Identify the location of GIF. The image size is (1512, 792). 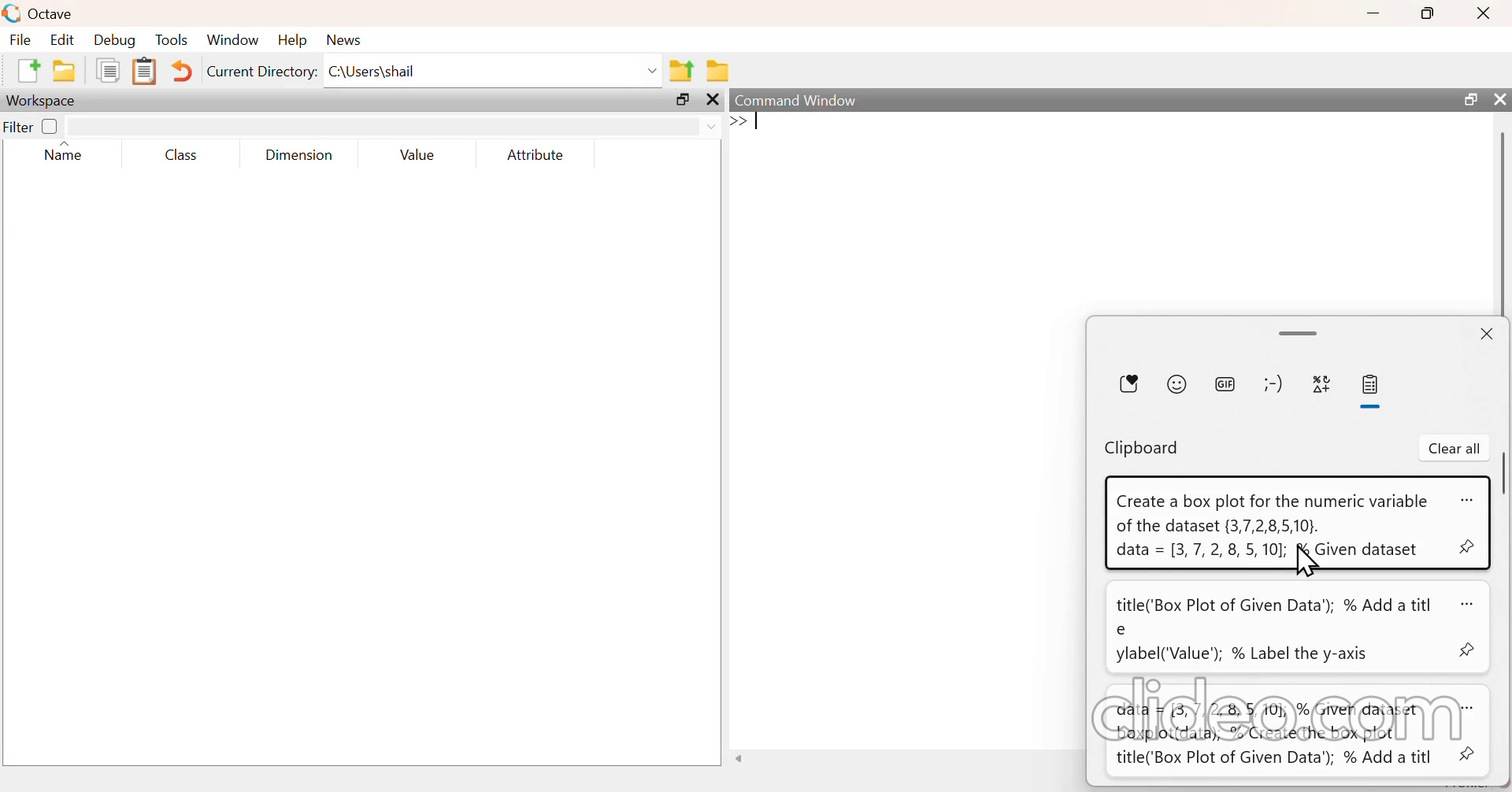
(1226, 382).